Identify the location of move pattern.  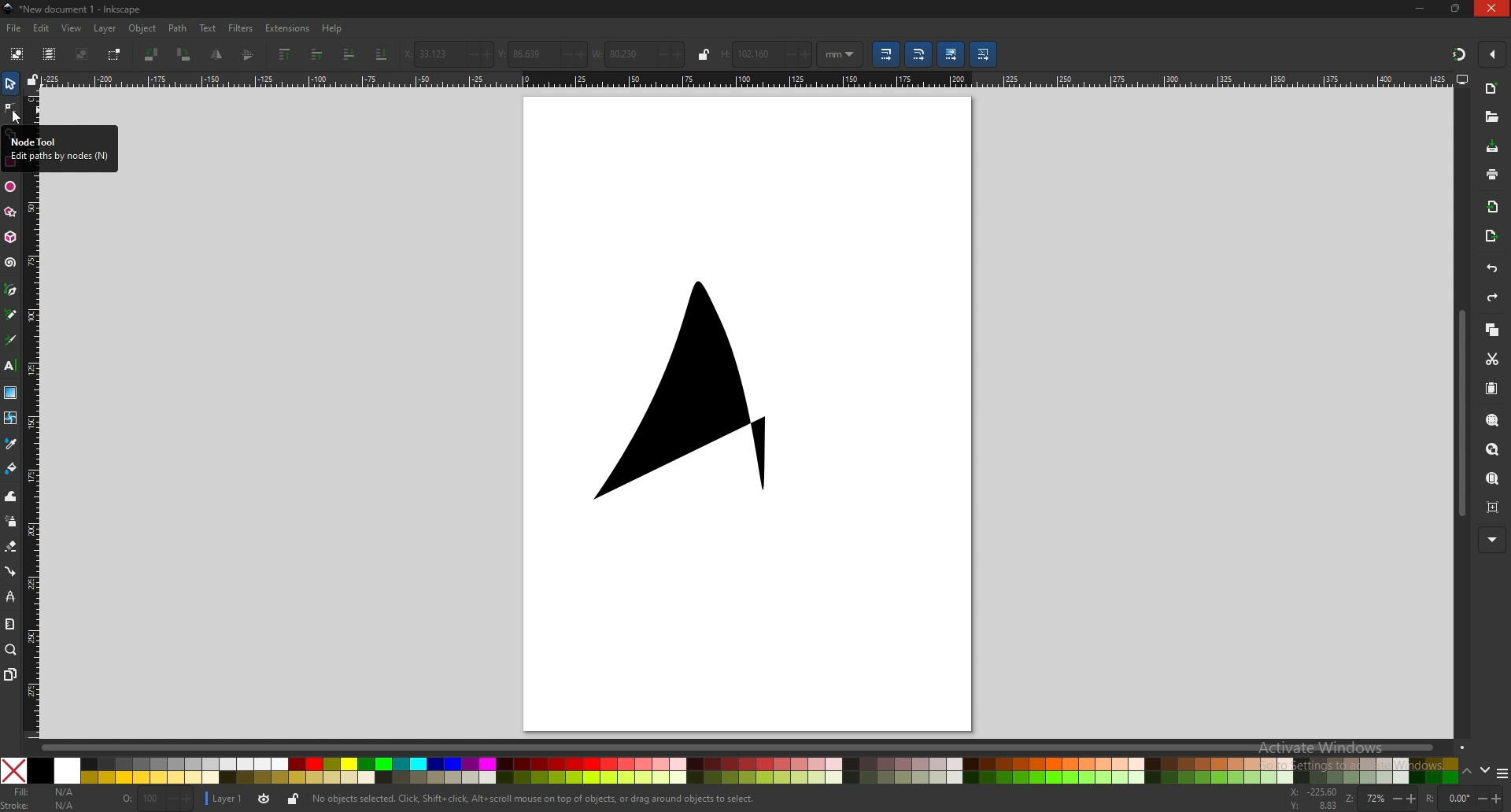
(984, 55).